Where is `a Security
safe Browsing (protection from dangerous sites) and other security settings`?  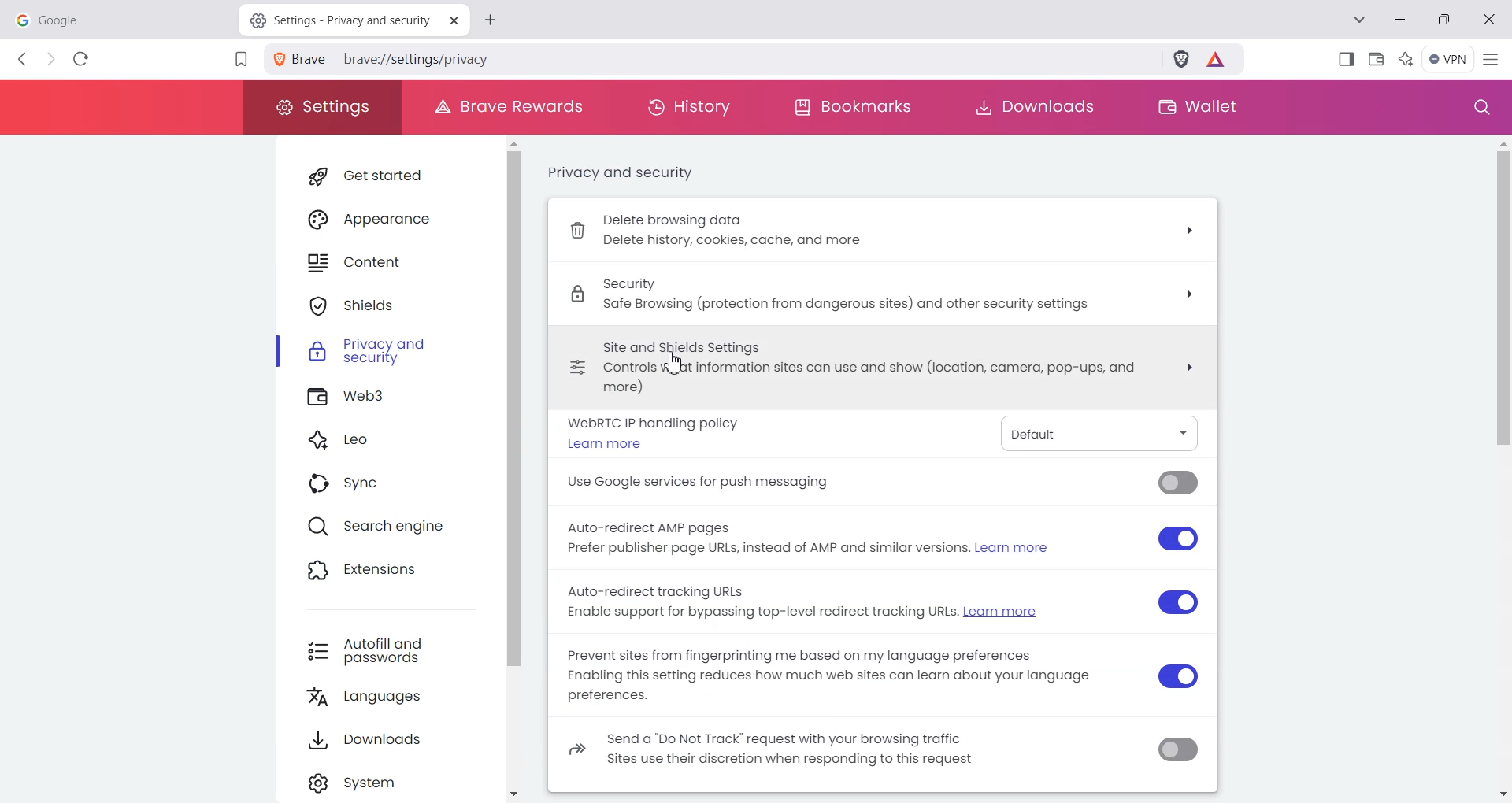
a Security
safe Browsing (protection from dangerous sites) and other security settings is located at coordinates (890, 291).